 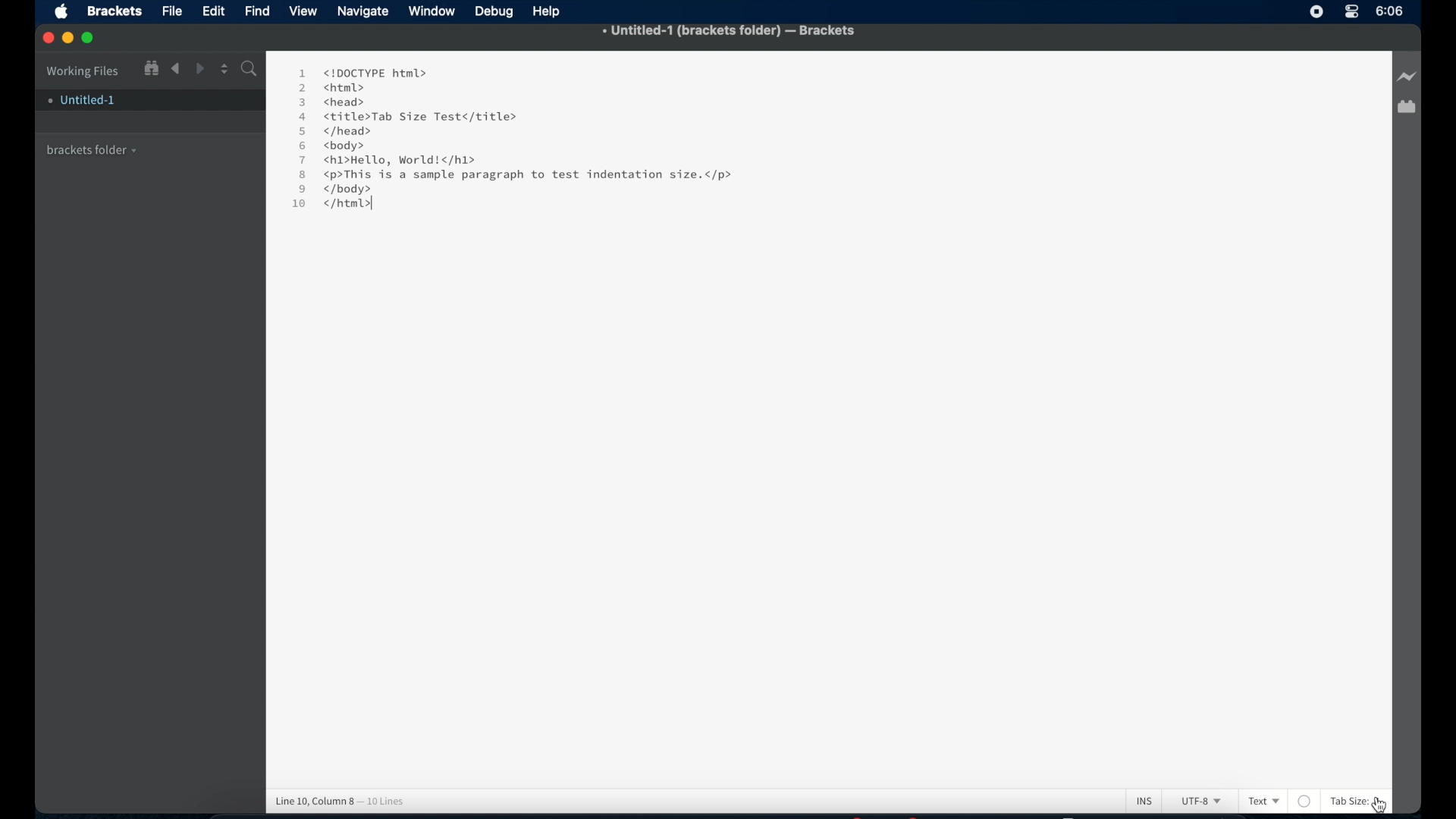 I want to click on brackets folder, so click(x=93, y=148).